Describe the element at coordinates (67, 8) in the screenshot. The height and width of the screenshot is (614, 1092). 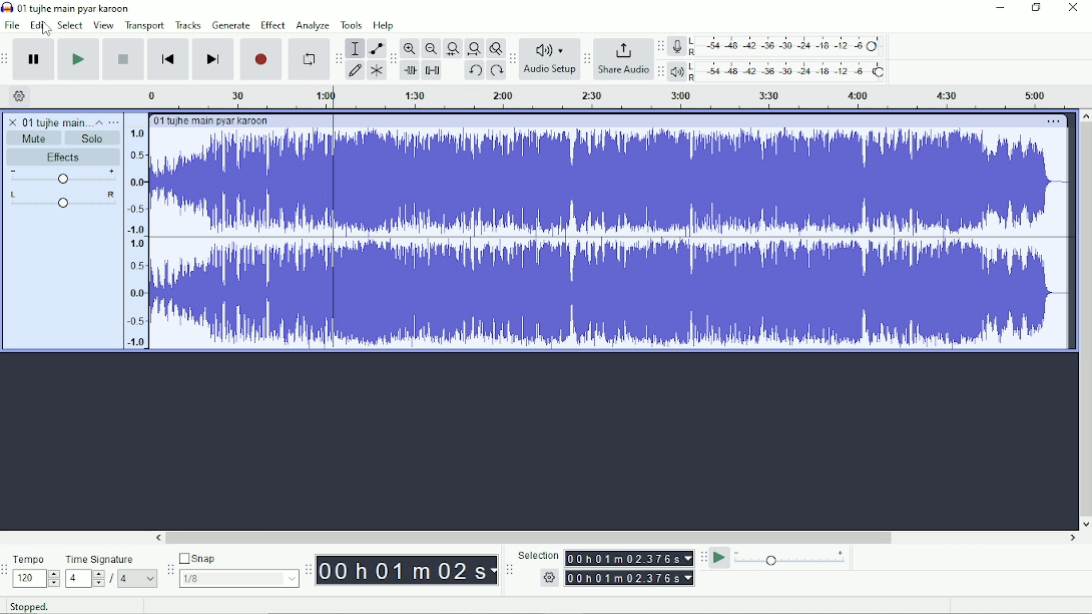
I see `Title` at that location.